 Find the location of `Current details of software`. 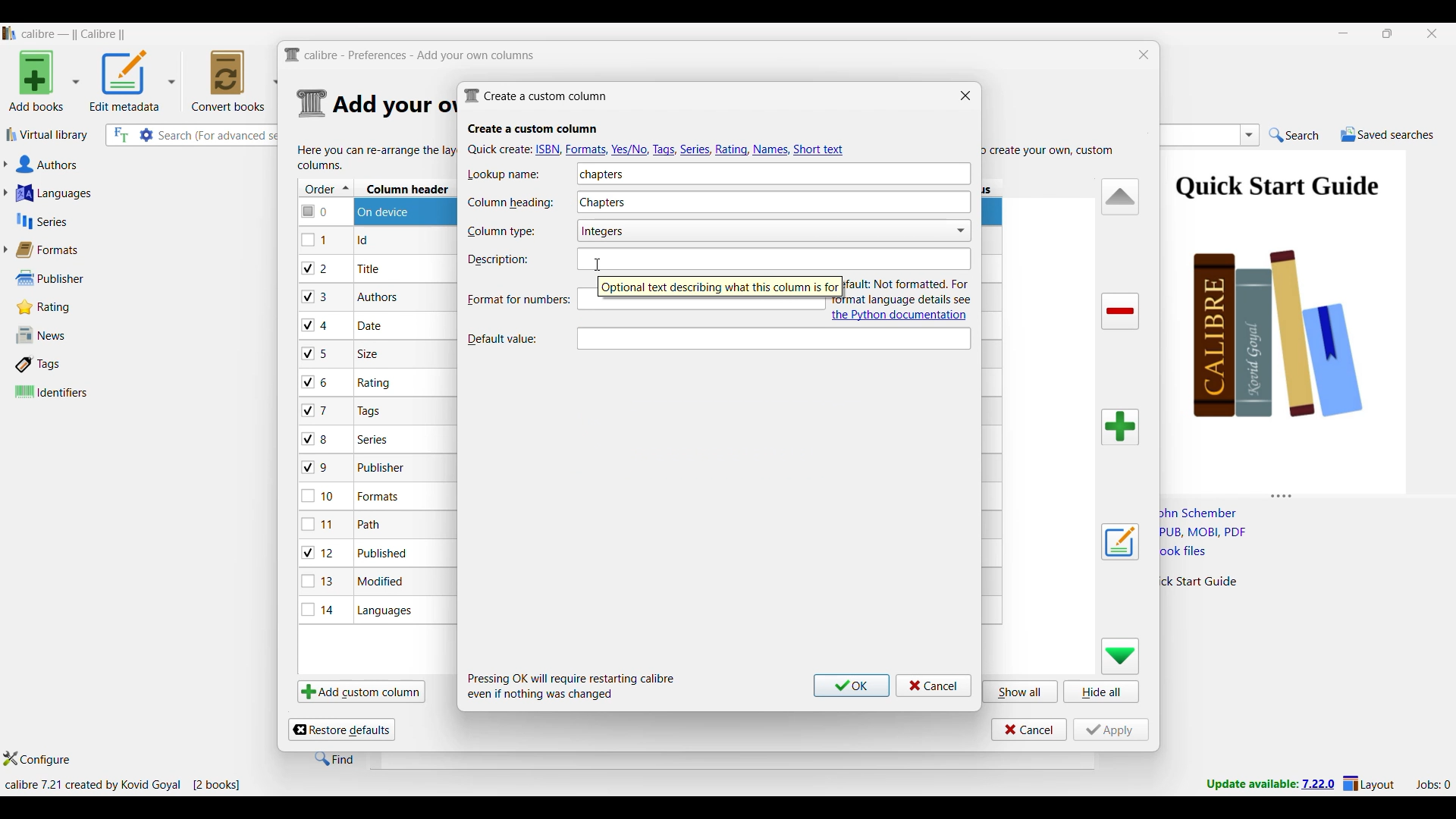

Current details of software is located at coordinates (122, 785).